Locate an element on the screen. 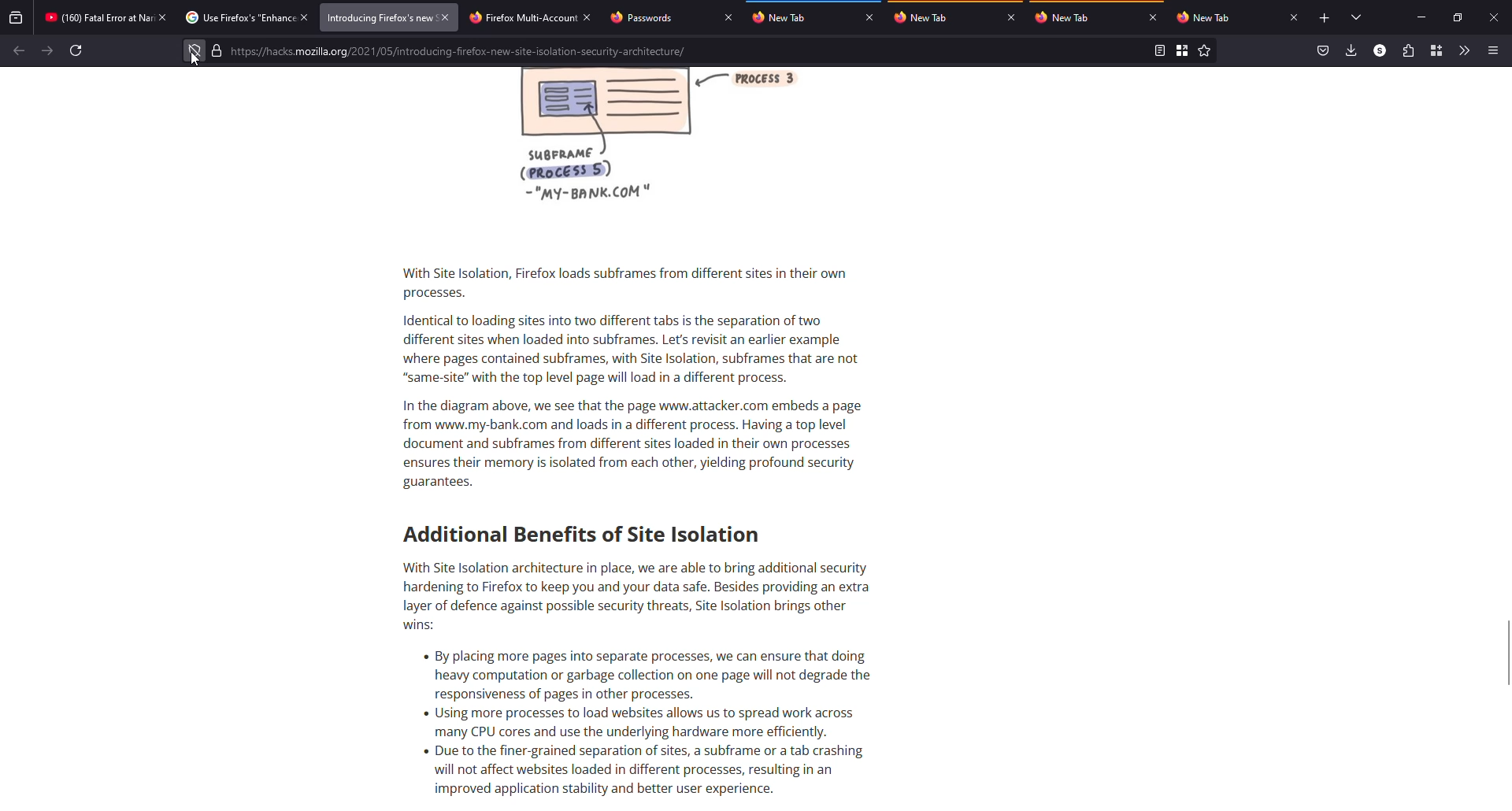  add is located at coordinates (1325, 18).